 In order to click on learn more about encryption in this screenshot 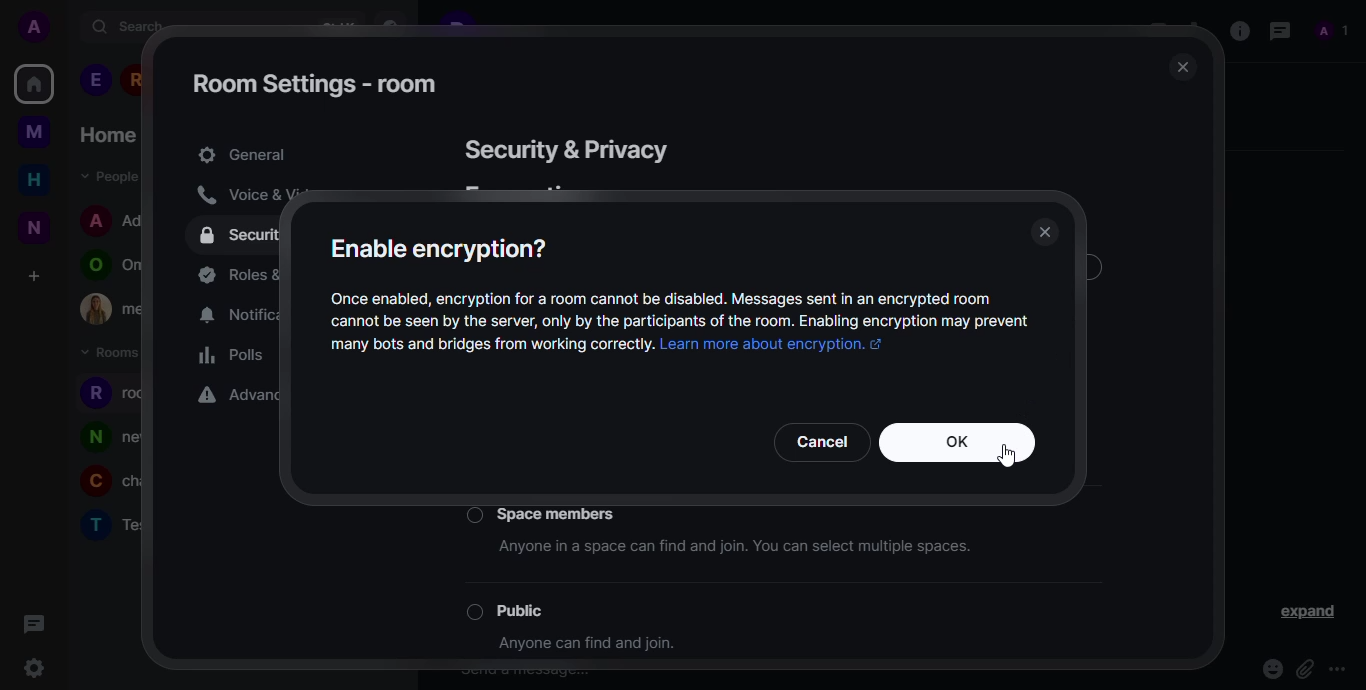, I will do `click(781, 345)`.